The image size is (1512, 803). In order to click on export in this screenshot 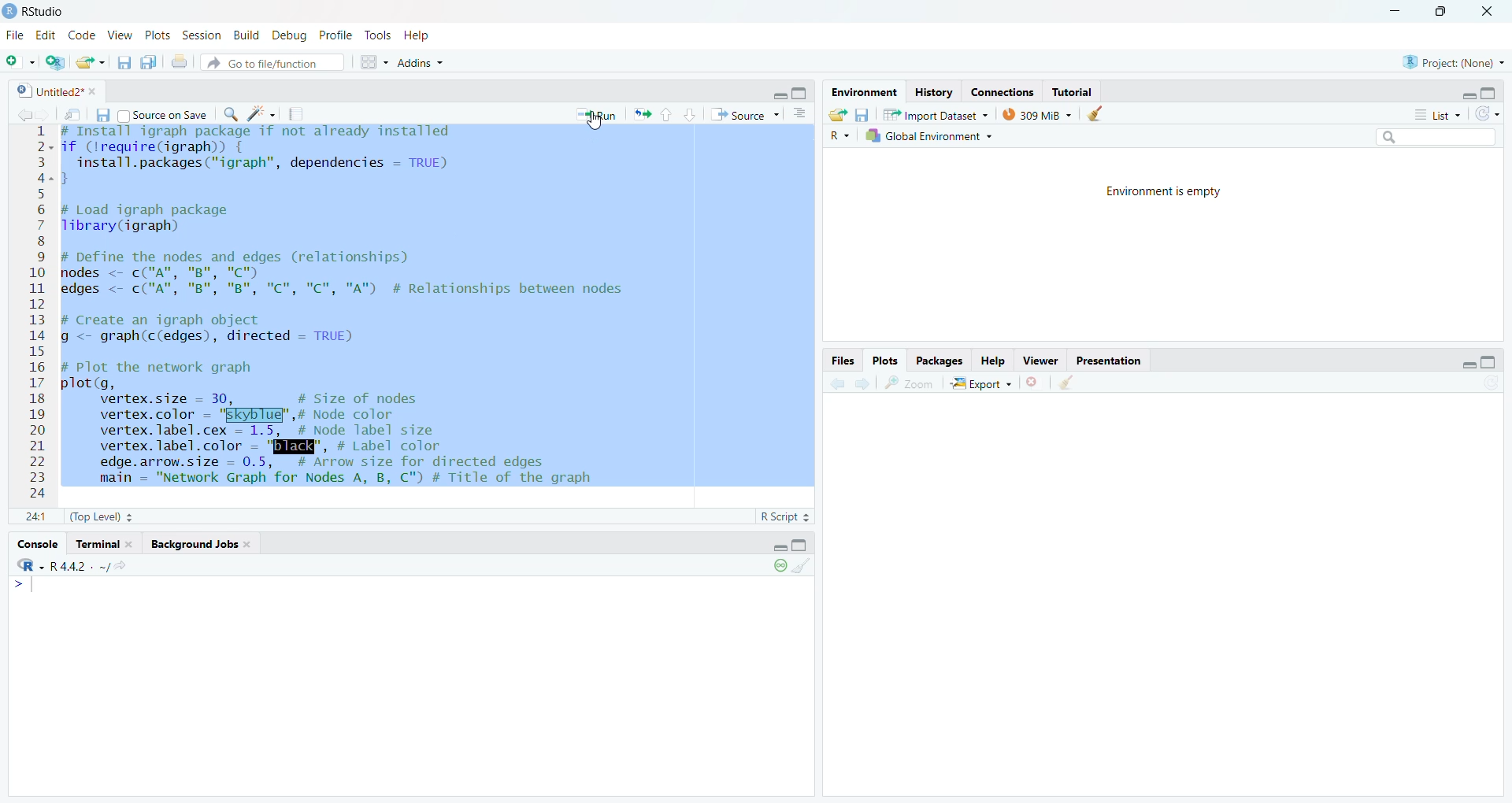, I will do `click(643, 117)`.